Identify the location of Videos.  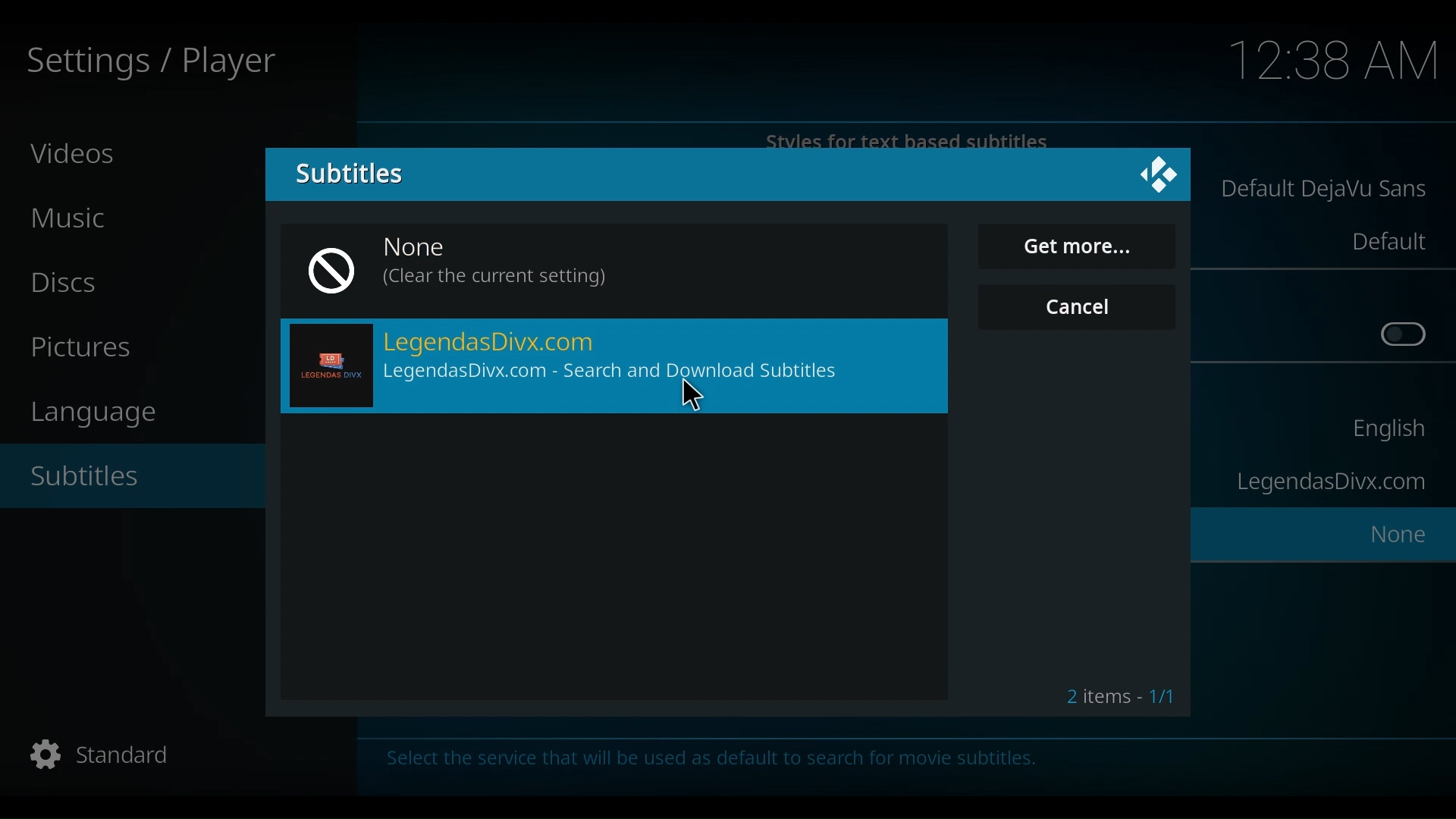
(75, 152).